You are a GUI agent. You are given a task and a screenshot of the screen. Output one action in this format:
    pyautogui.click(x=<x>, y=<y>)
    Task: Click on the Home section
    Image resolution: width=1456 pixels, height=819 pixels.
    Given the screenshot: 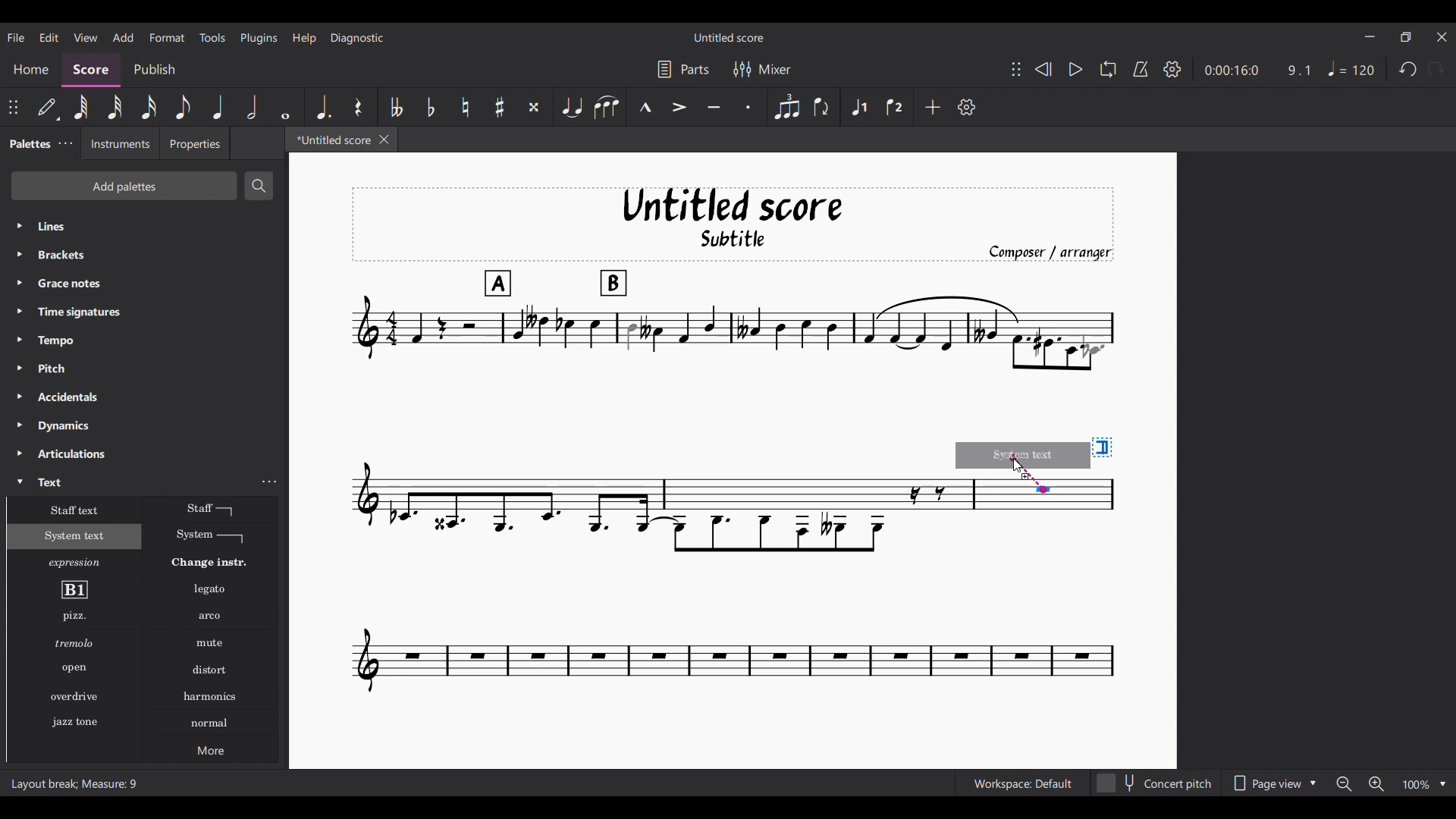 What is the action you would take?
    pyautogui.click(x=30, y=70)
    